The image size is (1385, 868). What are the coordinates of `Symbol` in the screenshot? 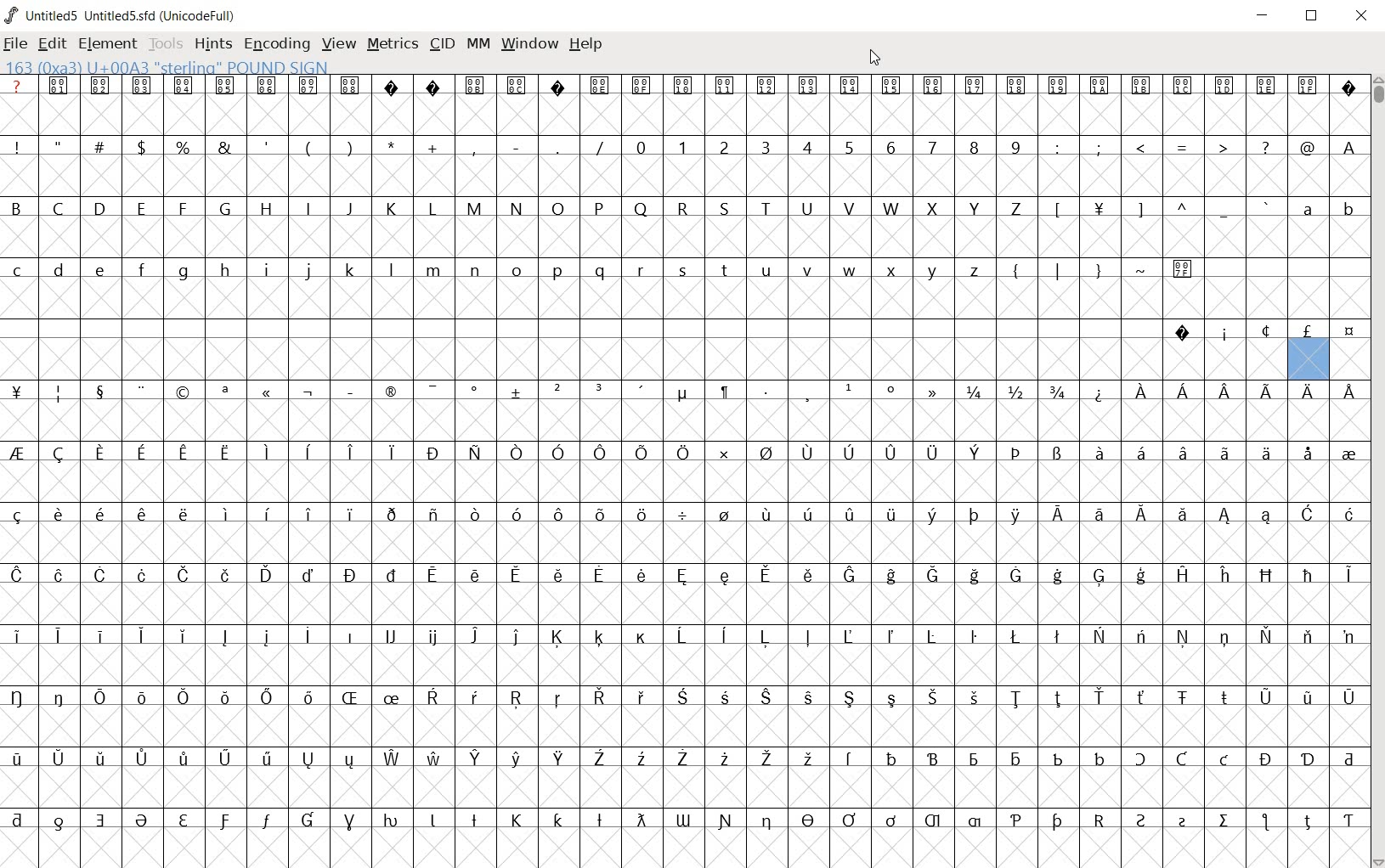 It's located at (1183, 332).